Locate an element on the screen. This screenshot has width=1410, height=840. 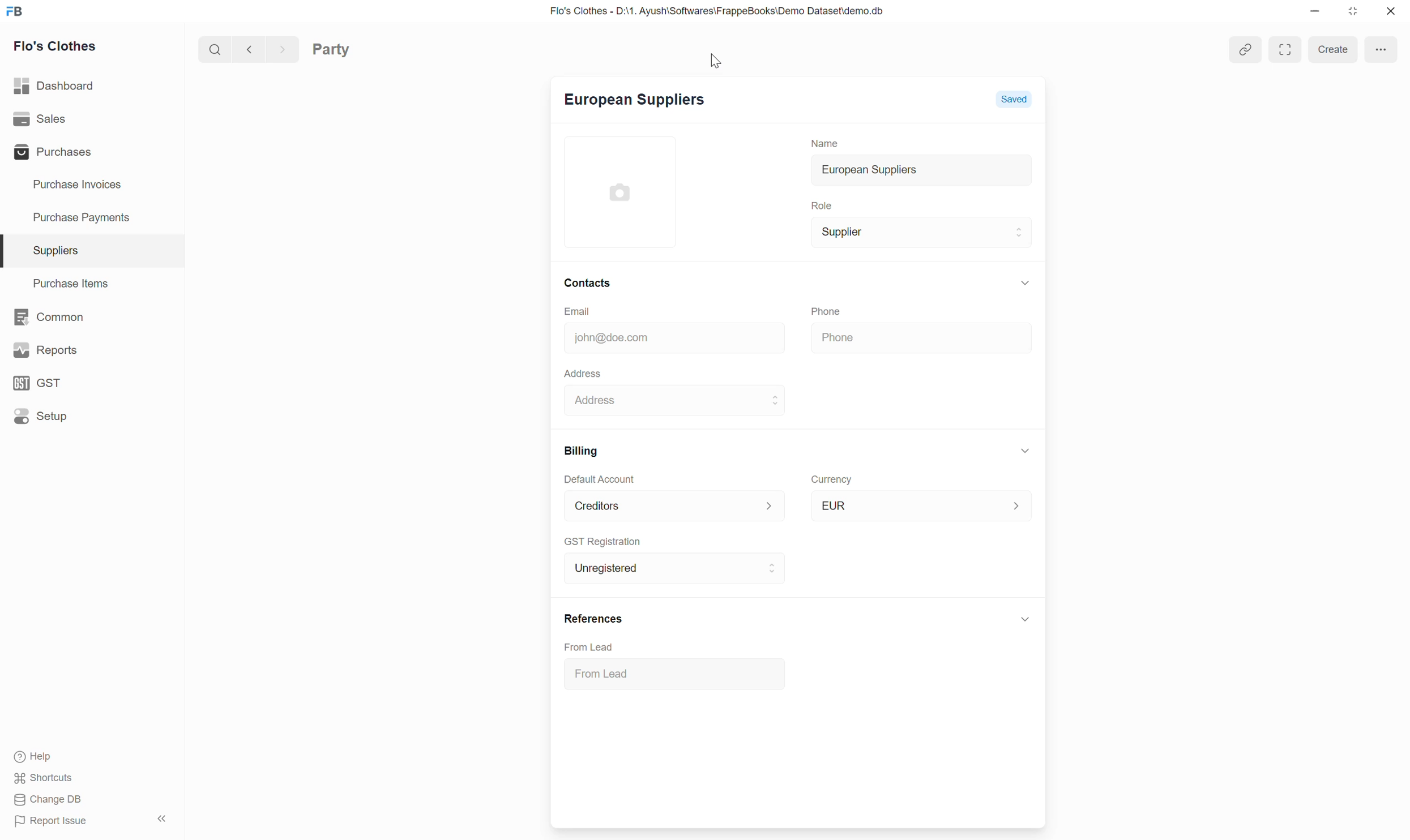
Party is located at coordinates (350, 48).